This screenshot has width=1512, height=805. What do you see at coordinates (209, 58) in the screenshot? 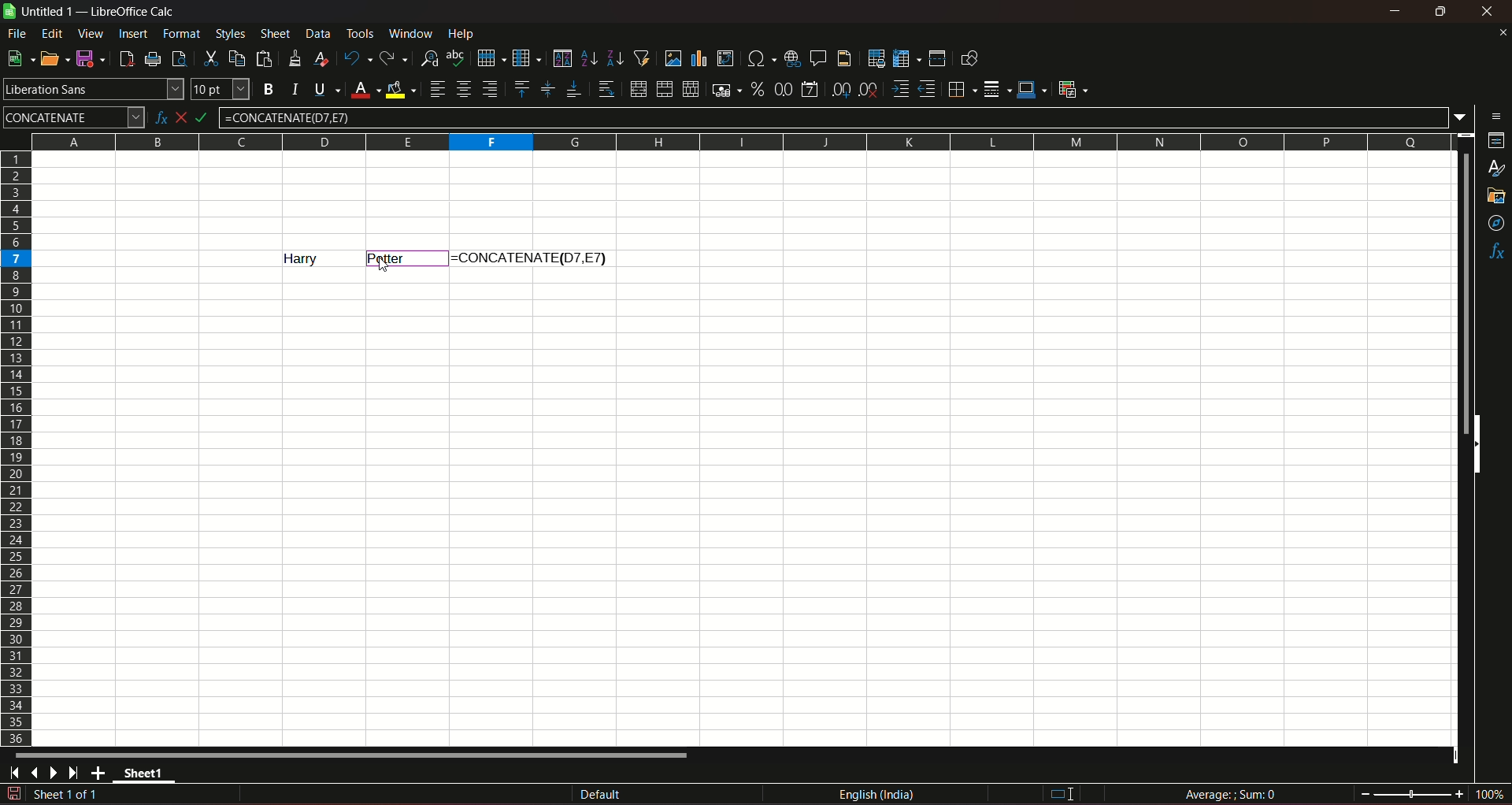
I see `cut` at bounding box center [209, 58].